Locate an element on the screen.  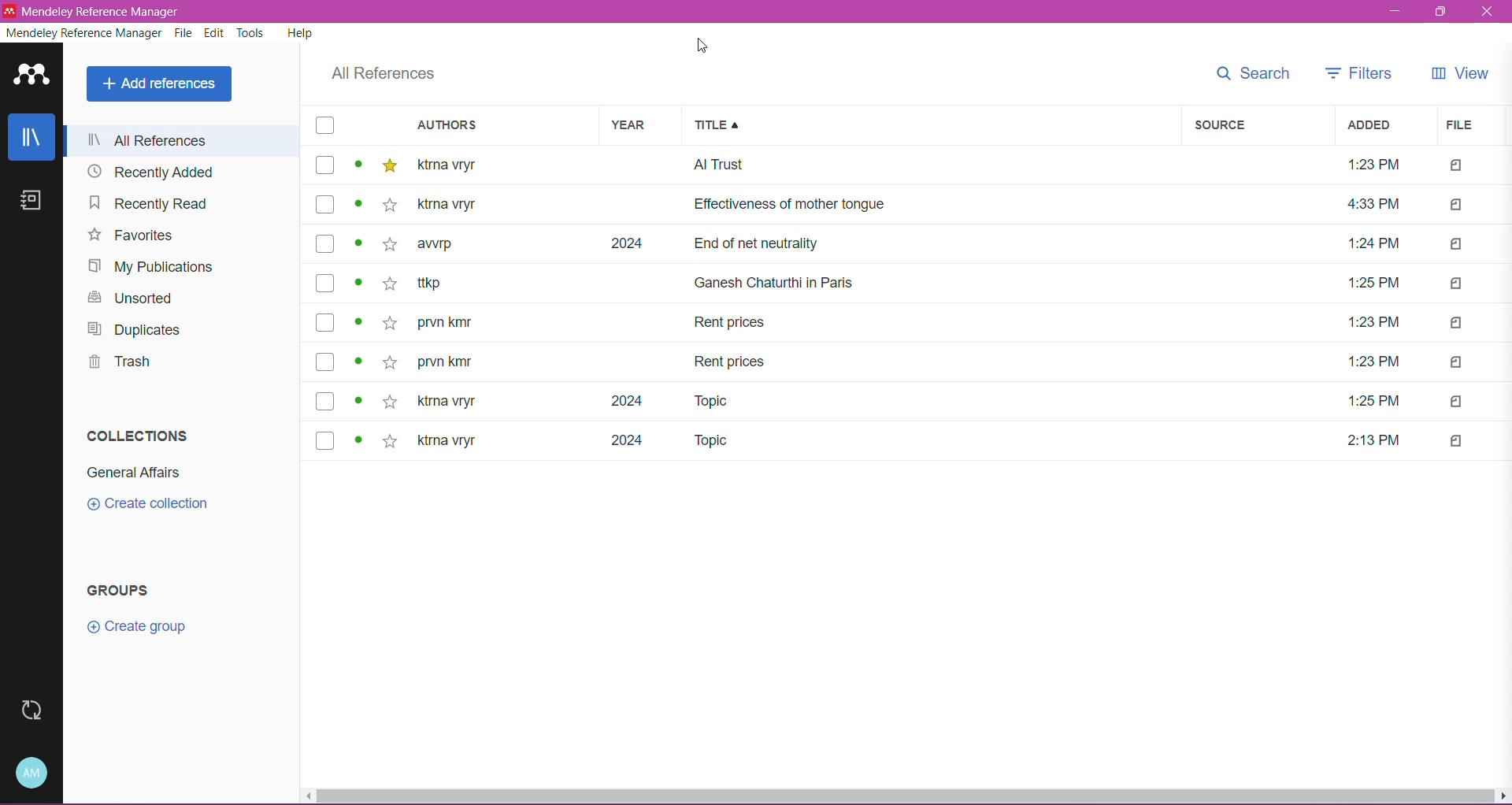
Filters is located at coordinates (1354, 72).